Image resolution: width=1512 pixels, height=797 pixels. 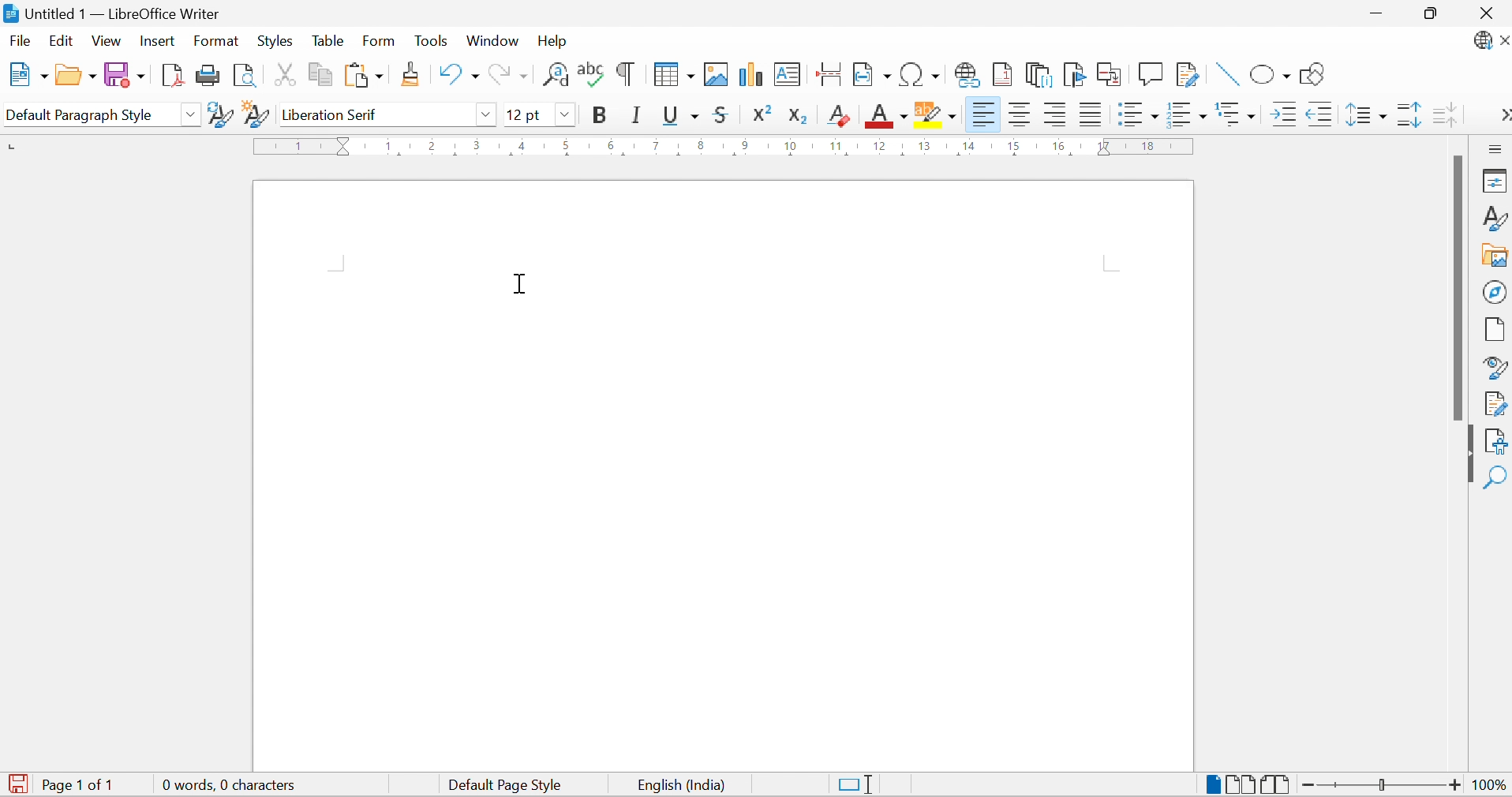 What do you see at coordinates (327, 41) in the screenshot?
I see `Table` at bounding box center [327, 41].